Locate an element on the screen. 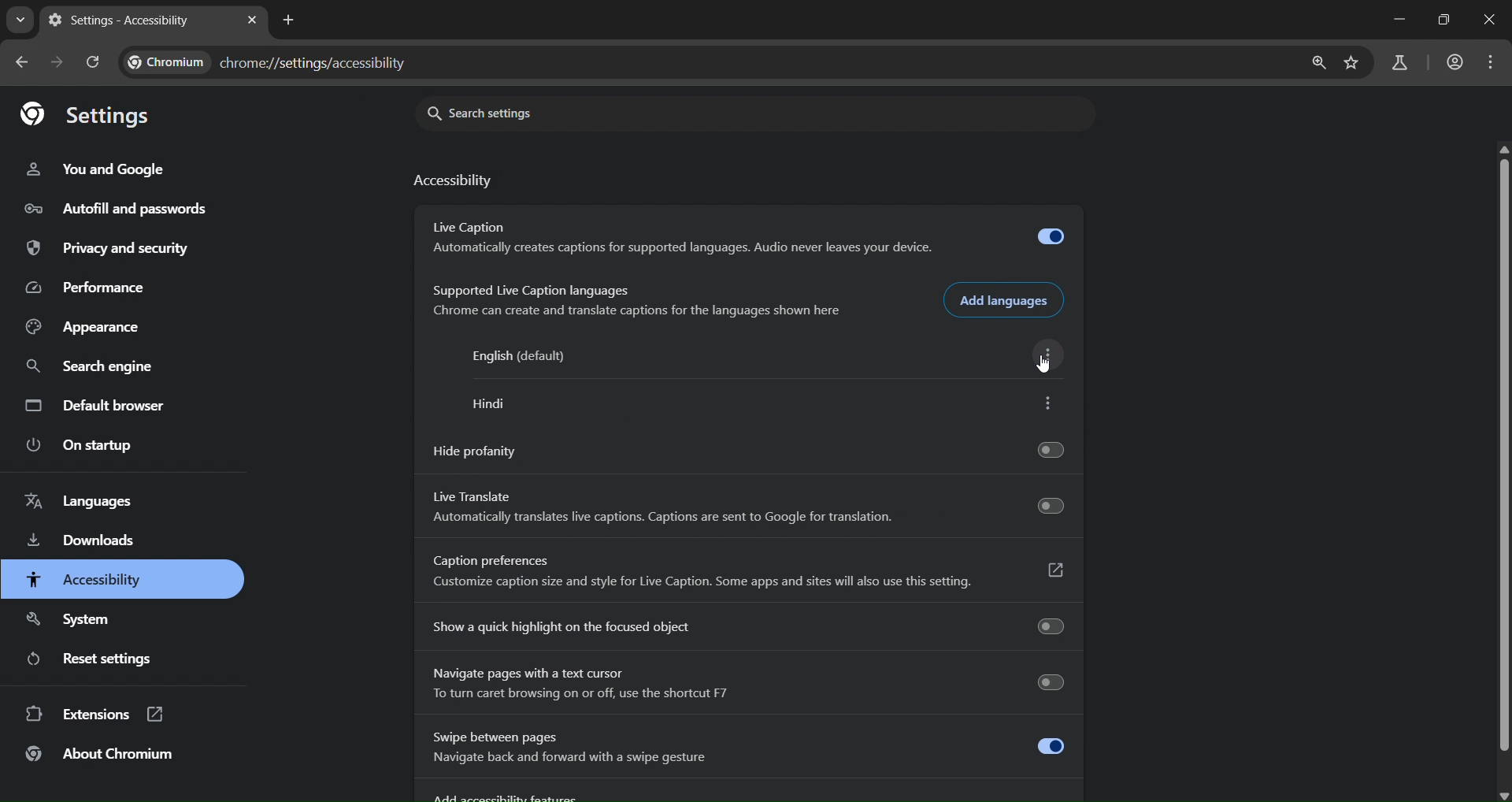 The height and width of the screenshot is (802, 1512). accessibility is located at coordinates (91, 579).